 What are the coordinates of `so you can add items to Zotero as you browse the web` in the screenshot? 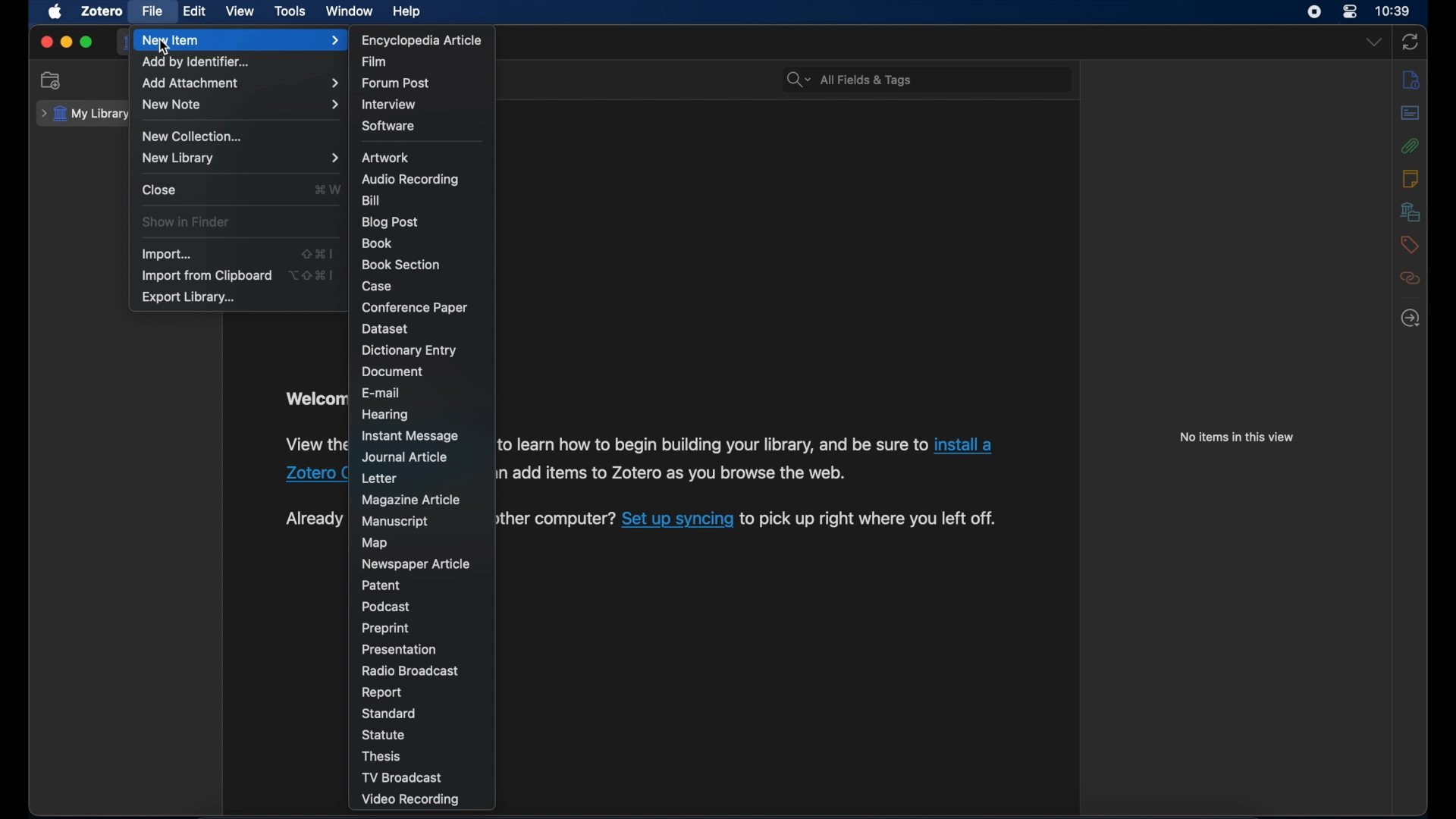 It's located at (675, 472).